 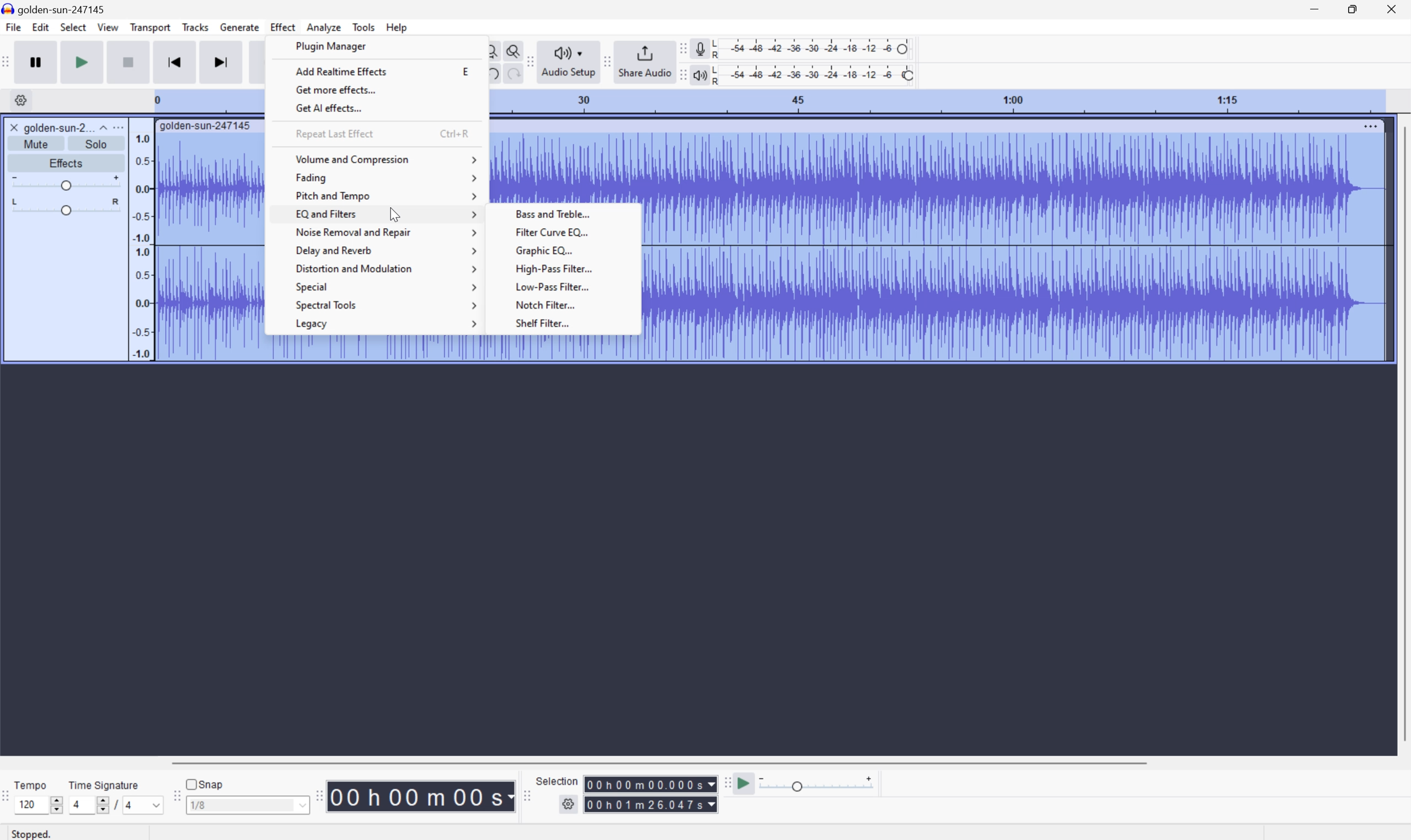 I want to click on Minimize, so click(x=1314, y=8).